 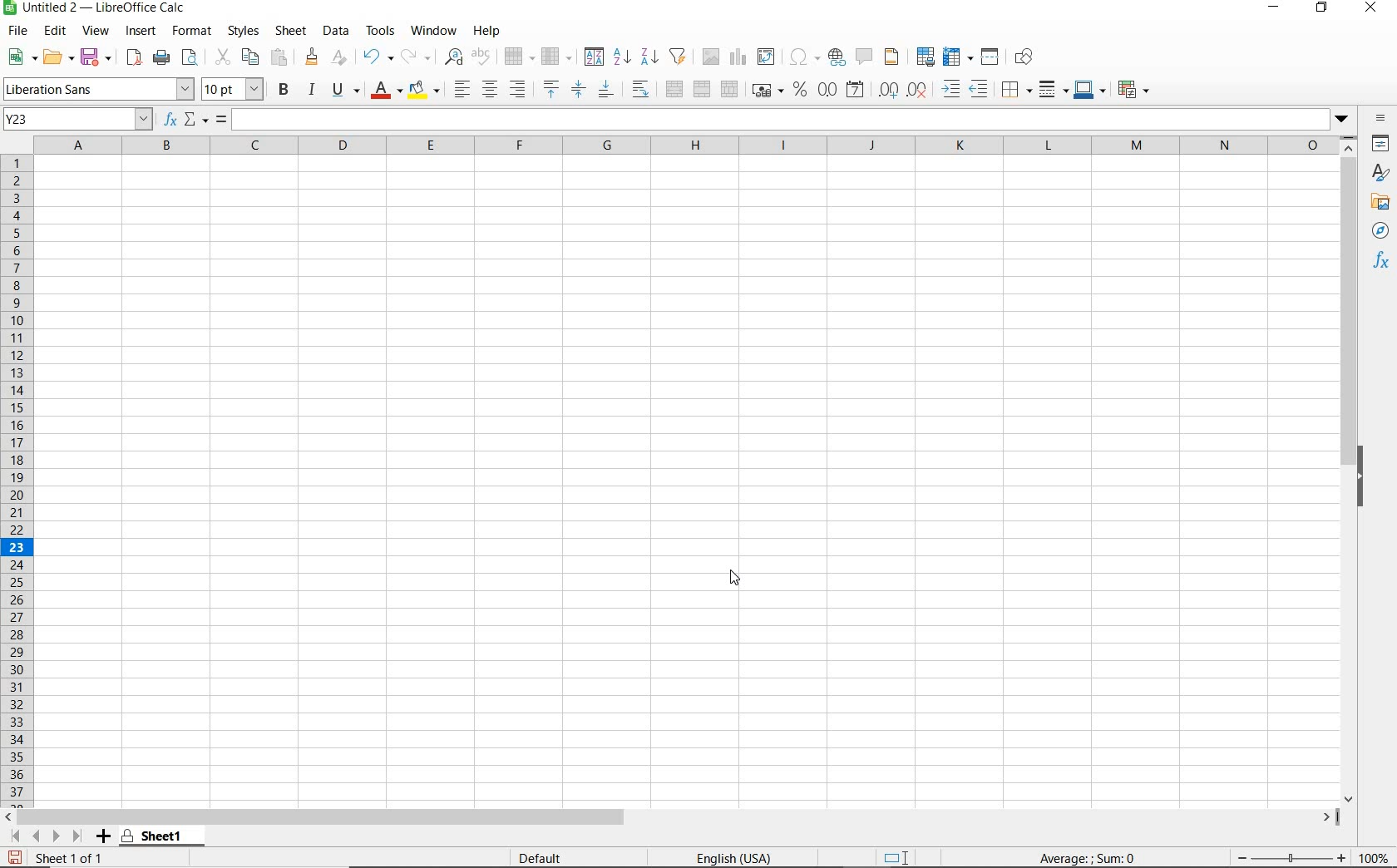 I want to click on ROW, so click(x=518, y=55).